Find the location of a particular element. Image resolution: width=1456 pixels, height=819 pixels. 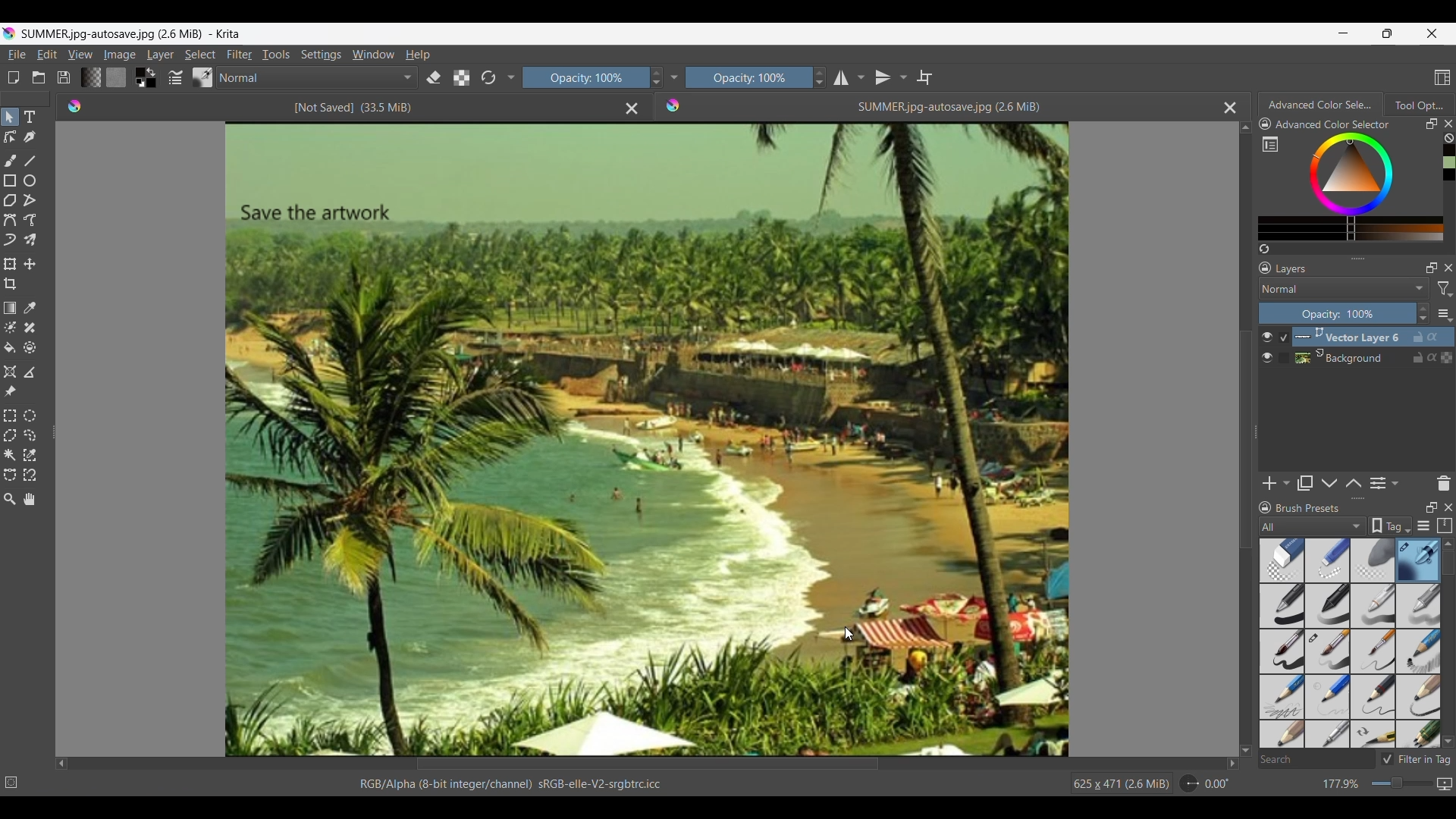

Storage resources is located at coordinates (1444, 526).